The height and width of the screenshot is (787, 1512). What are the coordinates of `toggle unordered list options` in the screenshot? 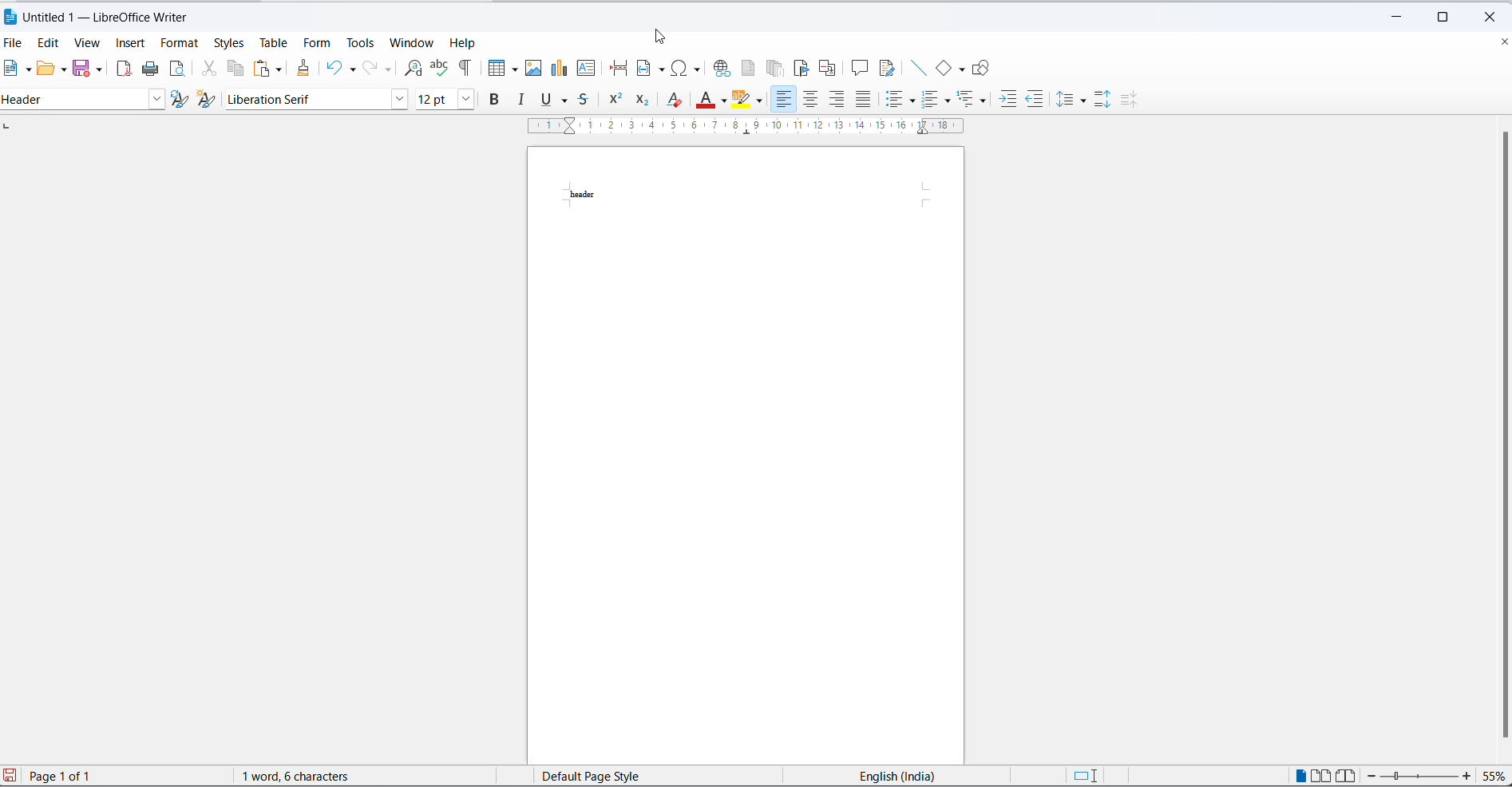 It's located at (914, 101).